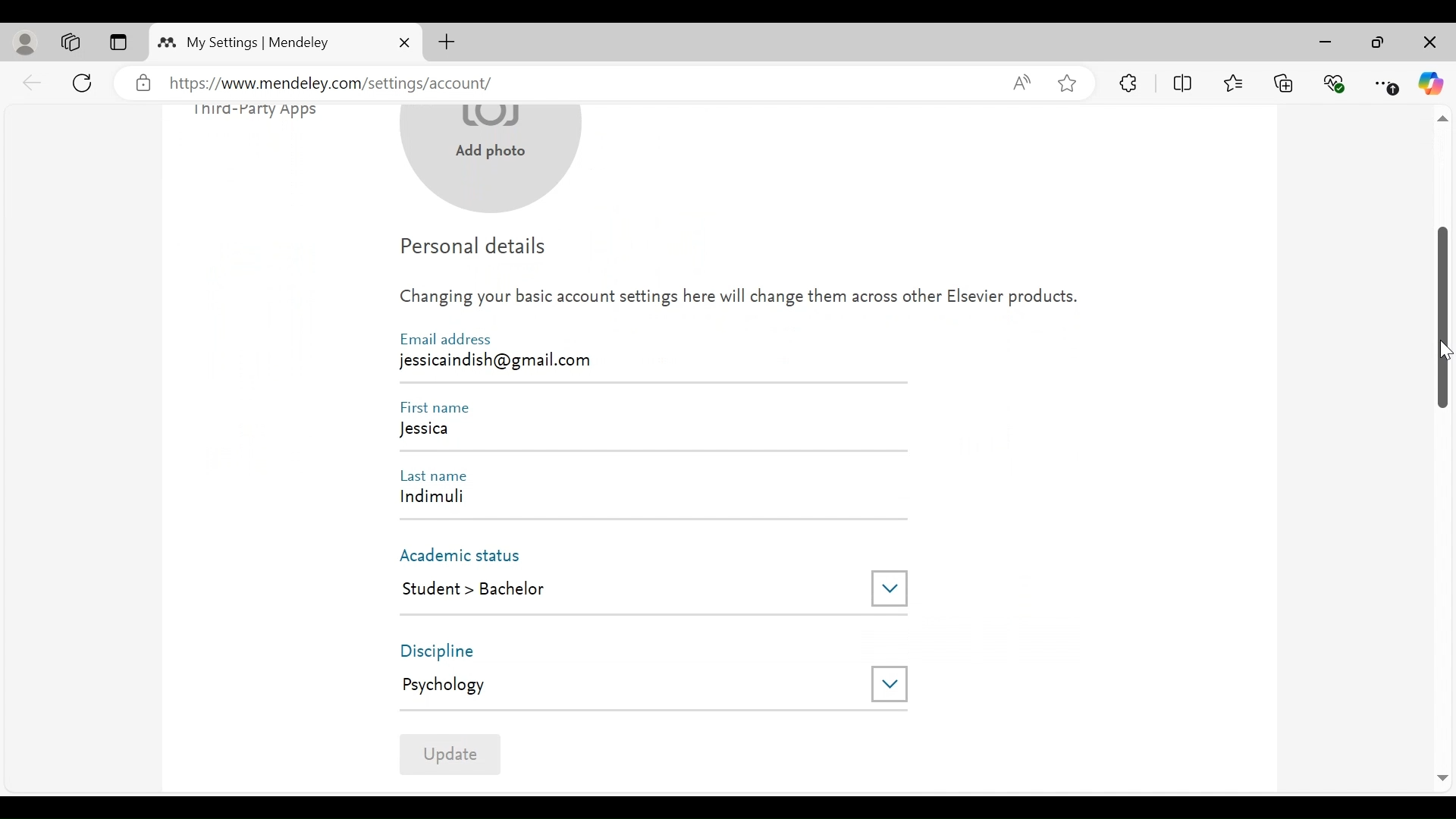 The image size is (1456, 819). What do you see at coordinates (440, 407) in the screenshot?
I see `First Name` at bounding box center [440, 407].